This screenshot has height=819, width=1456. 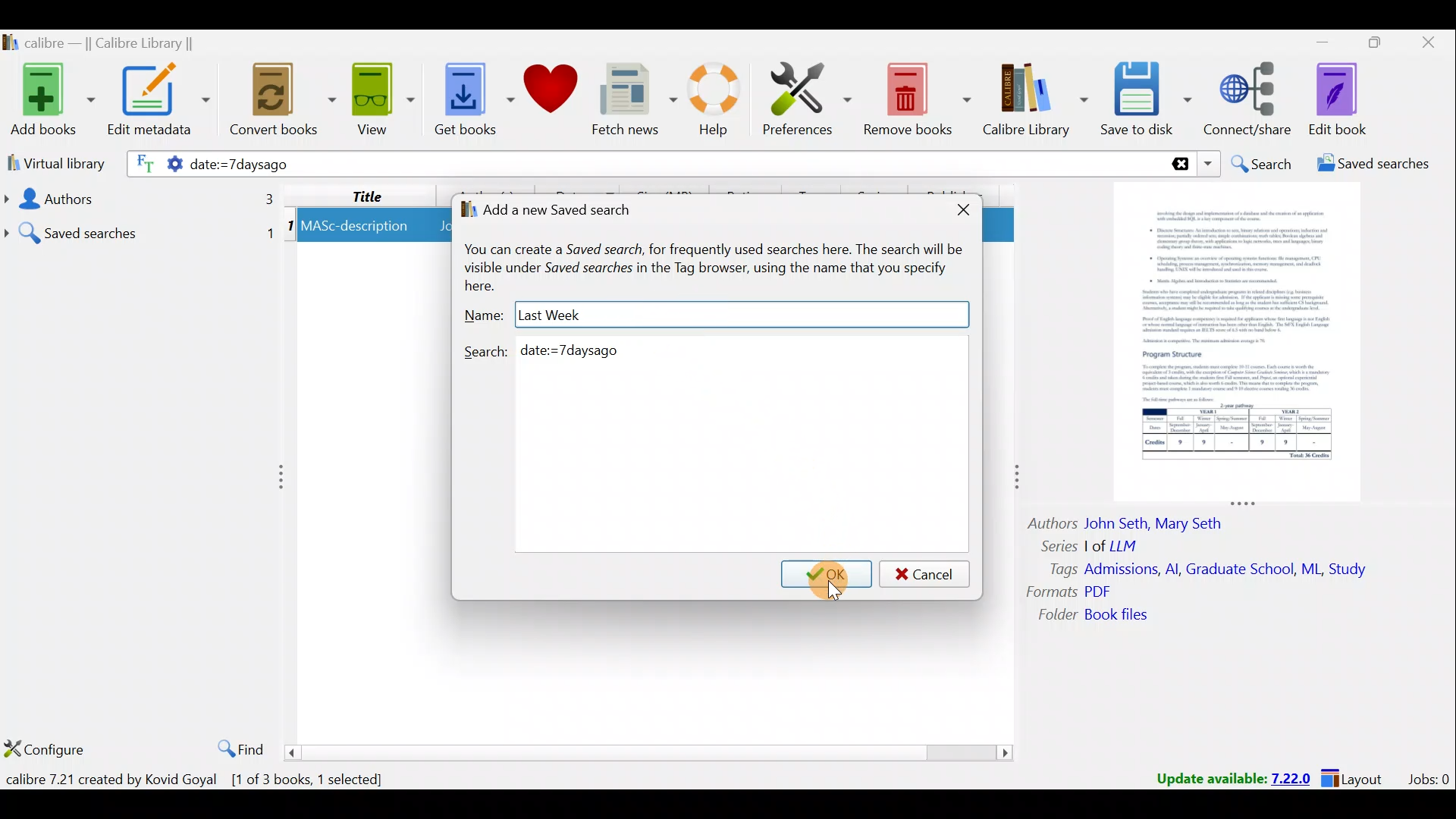 I want to click on Update available: 7.22.0, so click(x=1225, y=777).